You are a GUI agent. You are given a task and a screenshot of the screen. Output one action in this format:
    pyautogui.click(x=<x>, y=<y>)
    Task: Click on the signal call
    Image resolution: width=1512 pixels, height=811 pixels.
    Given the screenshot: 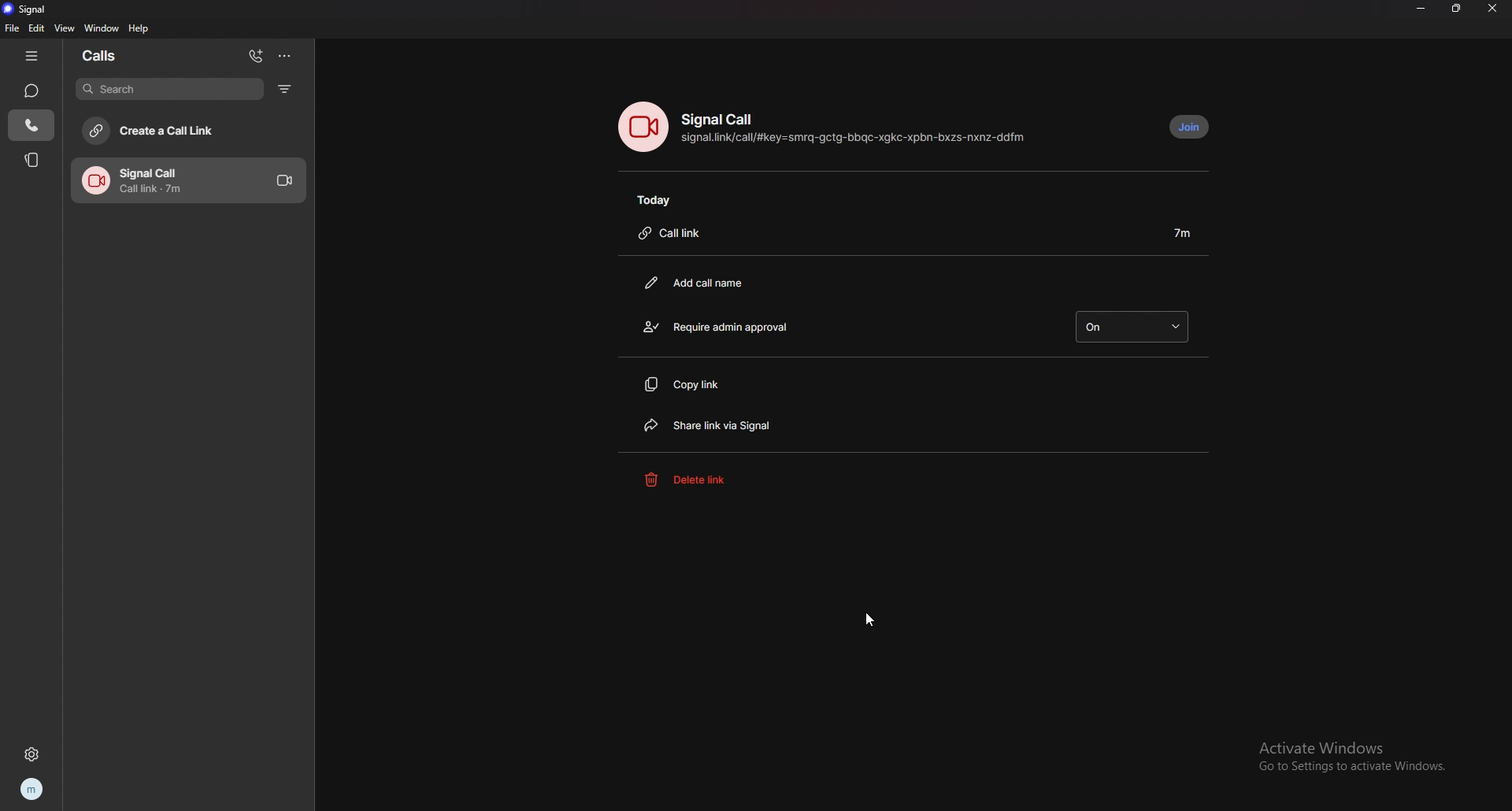 What is the action you would take?
    pyautogui.click(x=721, y=120)
    